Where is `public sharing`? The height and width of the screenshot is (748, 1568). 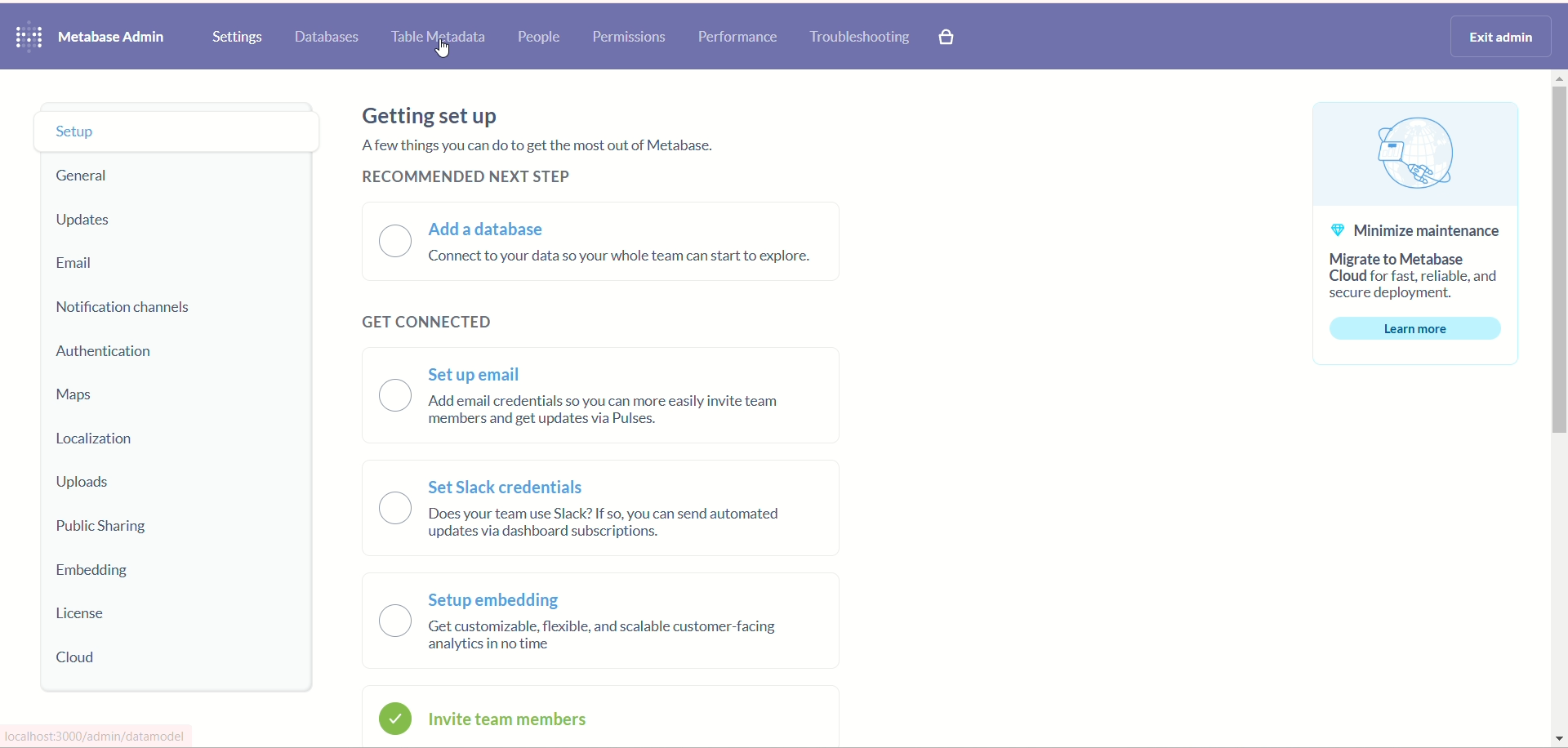
public sharing is located at coordinates (111, 529).